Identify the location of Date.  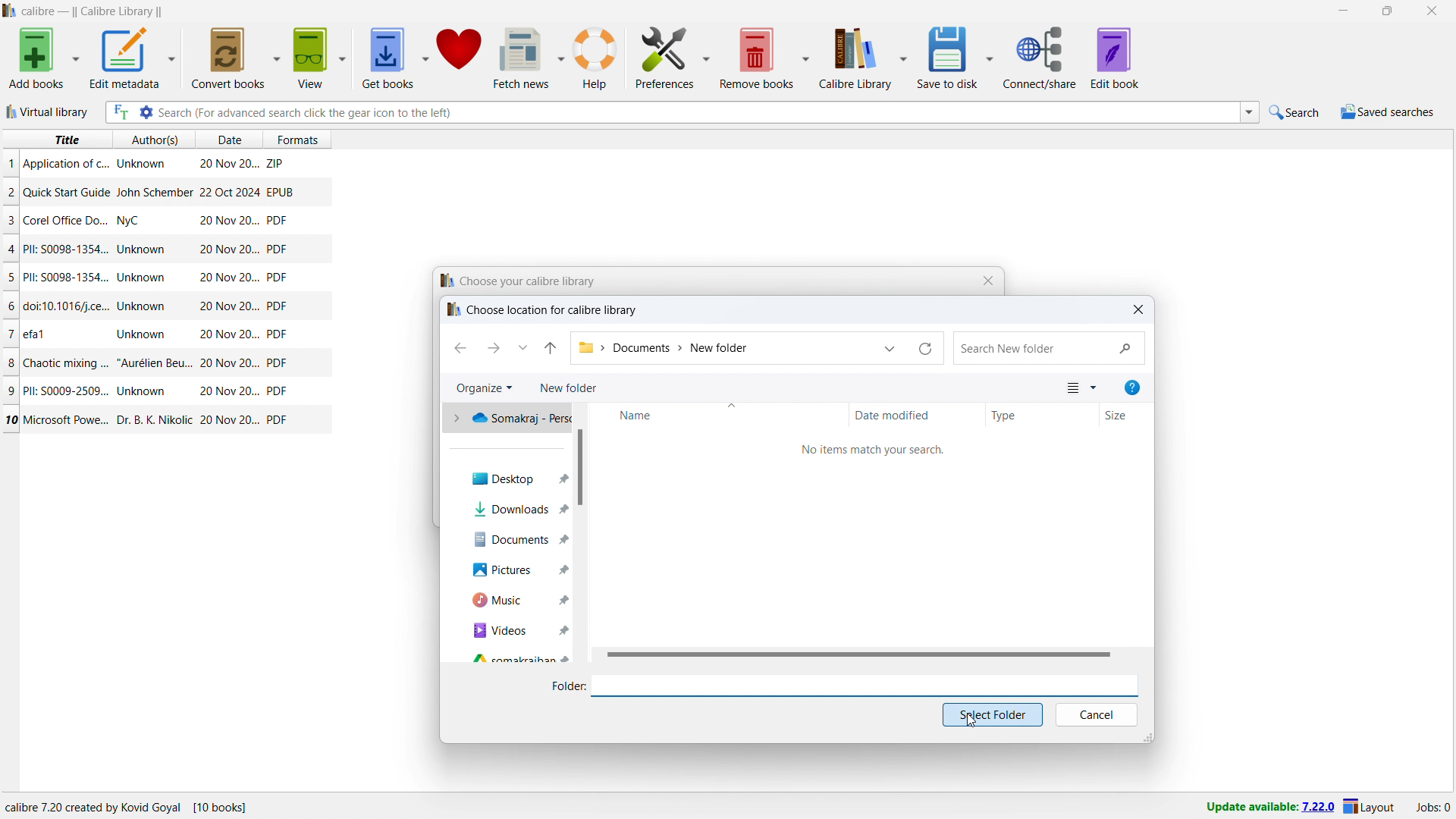
(229, 165).